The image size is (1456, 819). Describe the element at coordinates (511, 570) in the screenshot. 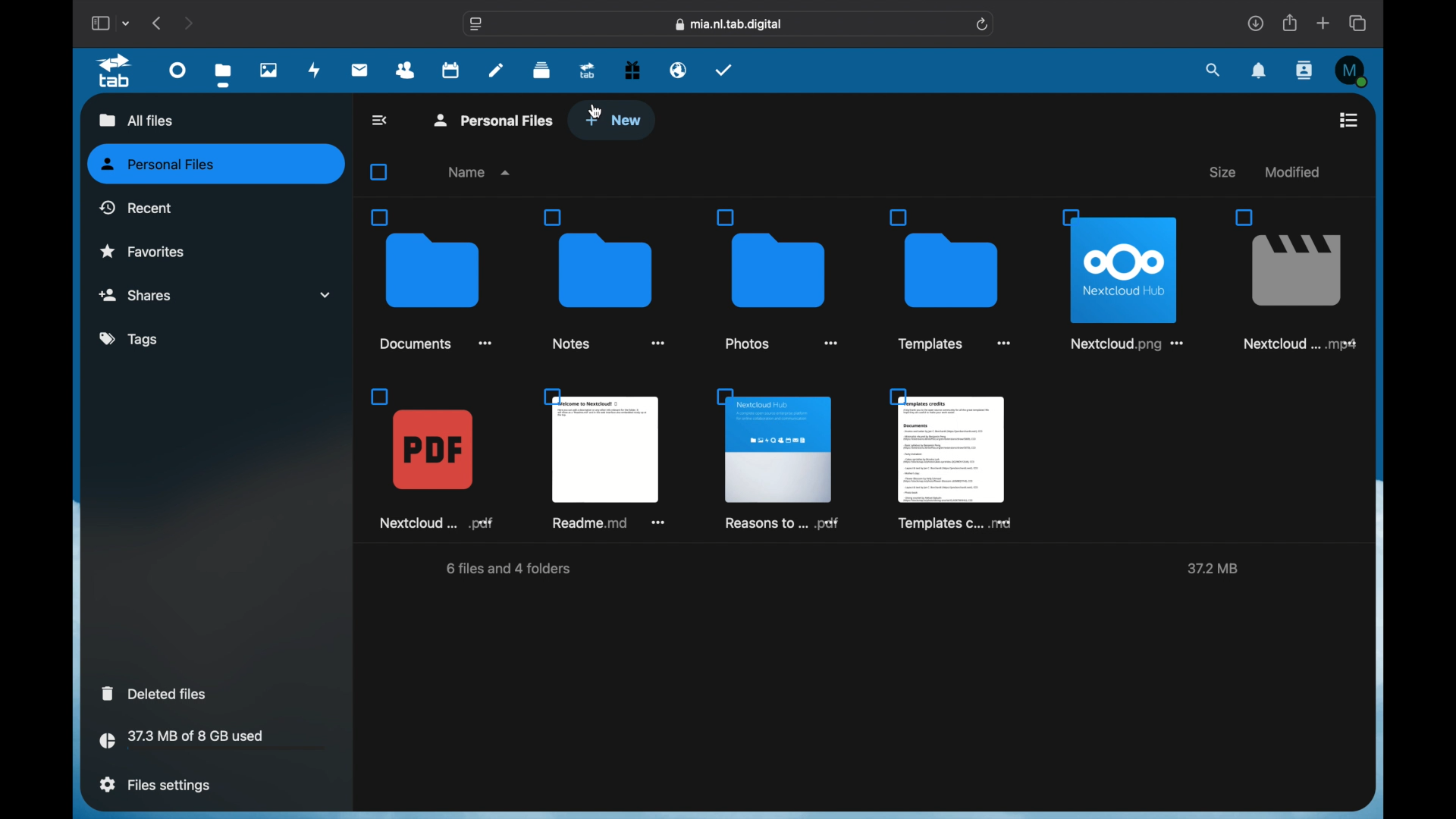

I see `6 files and 4 folders` at that location.